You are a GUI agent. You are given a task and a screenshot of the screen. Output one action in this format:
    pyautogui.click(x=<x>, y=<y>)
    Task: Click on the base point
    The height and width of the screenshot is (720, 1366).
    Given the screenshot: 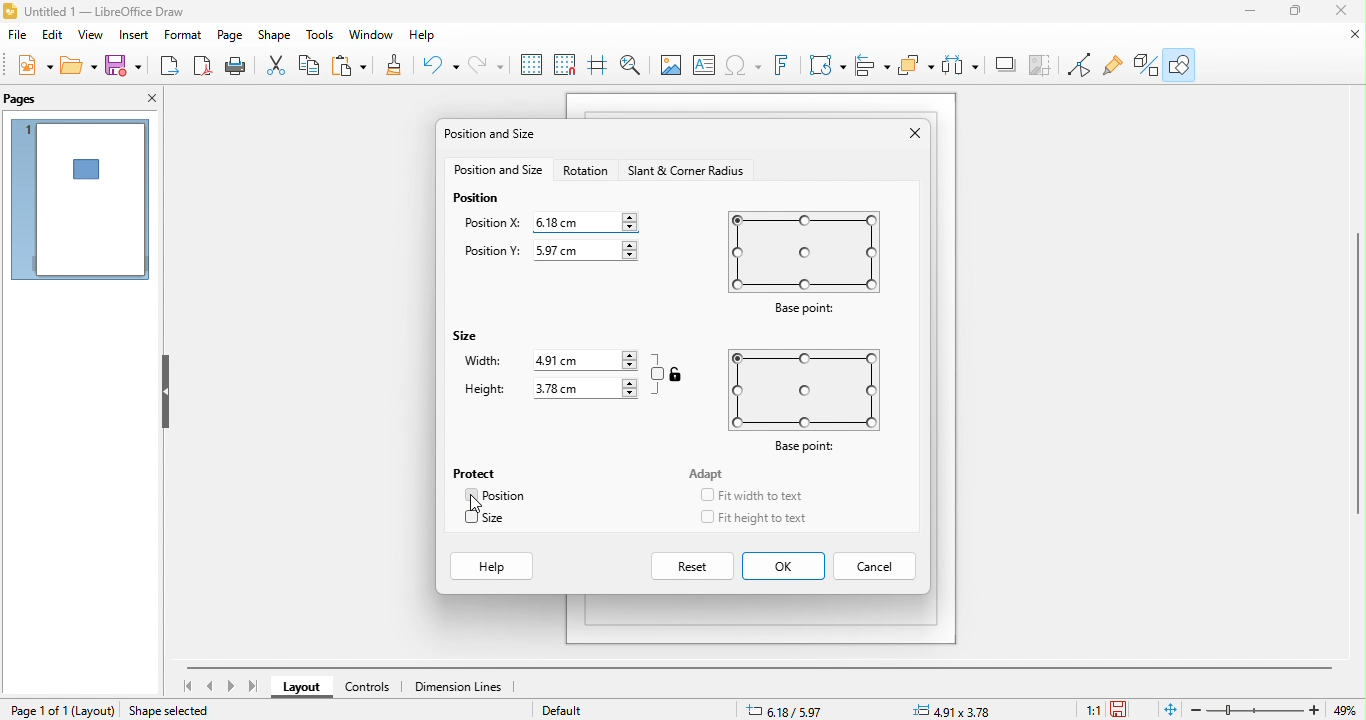 What is the action you would take?
    pyautogui.click(x=810, y=401)
    